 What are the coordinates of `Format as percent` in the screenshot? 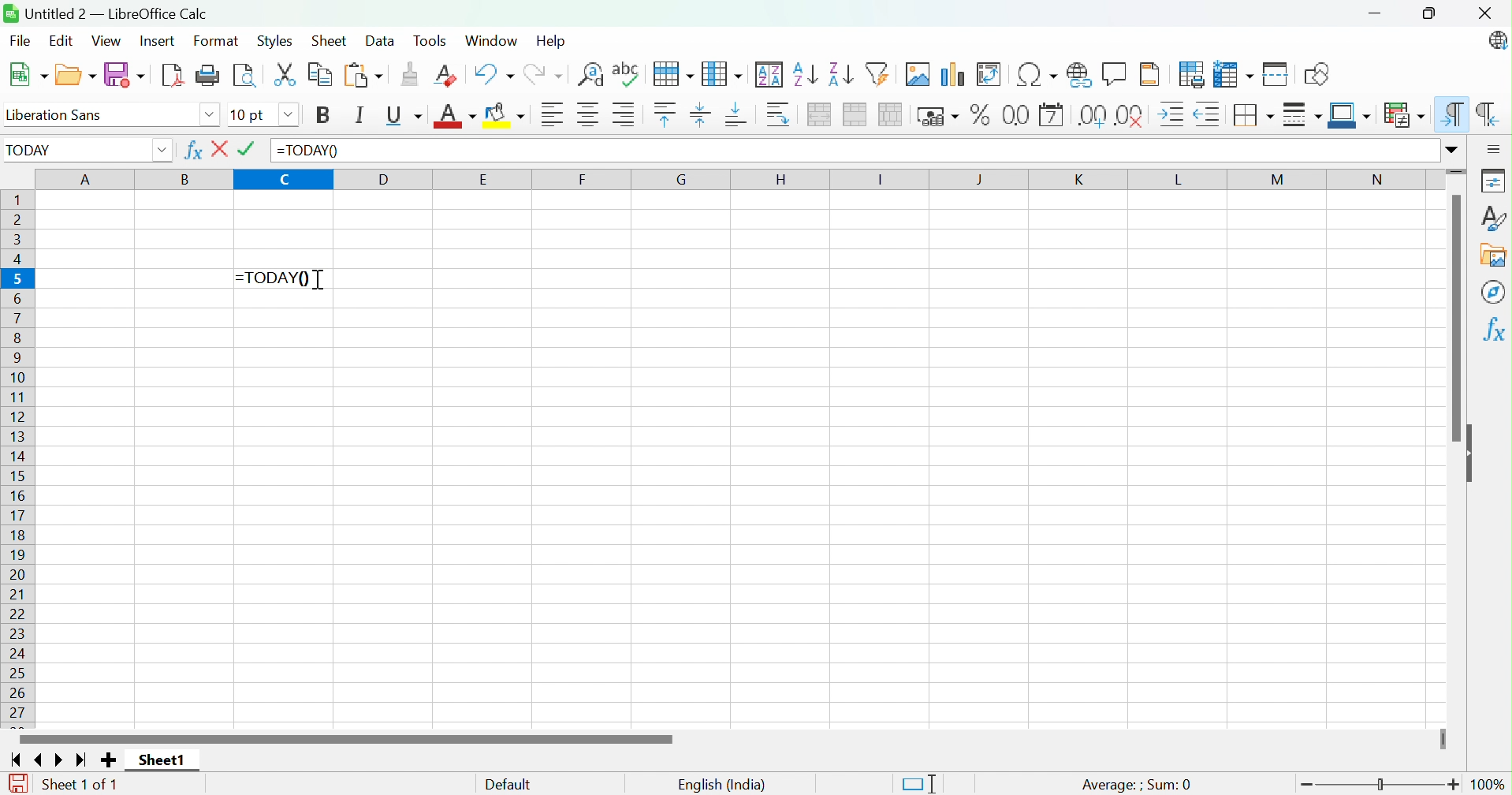 It's located at (982, 114).